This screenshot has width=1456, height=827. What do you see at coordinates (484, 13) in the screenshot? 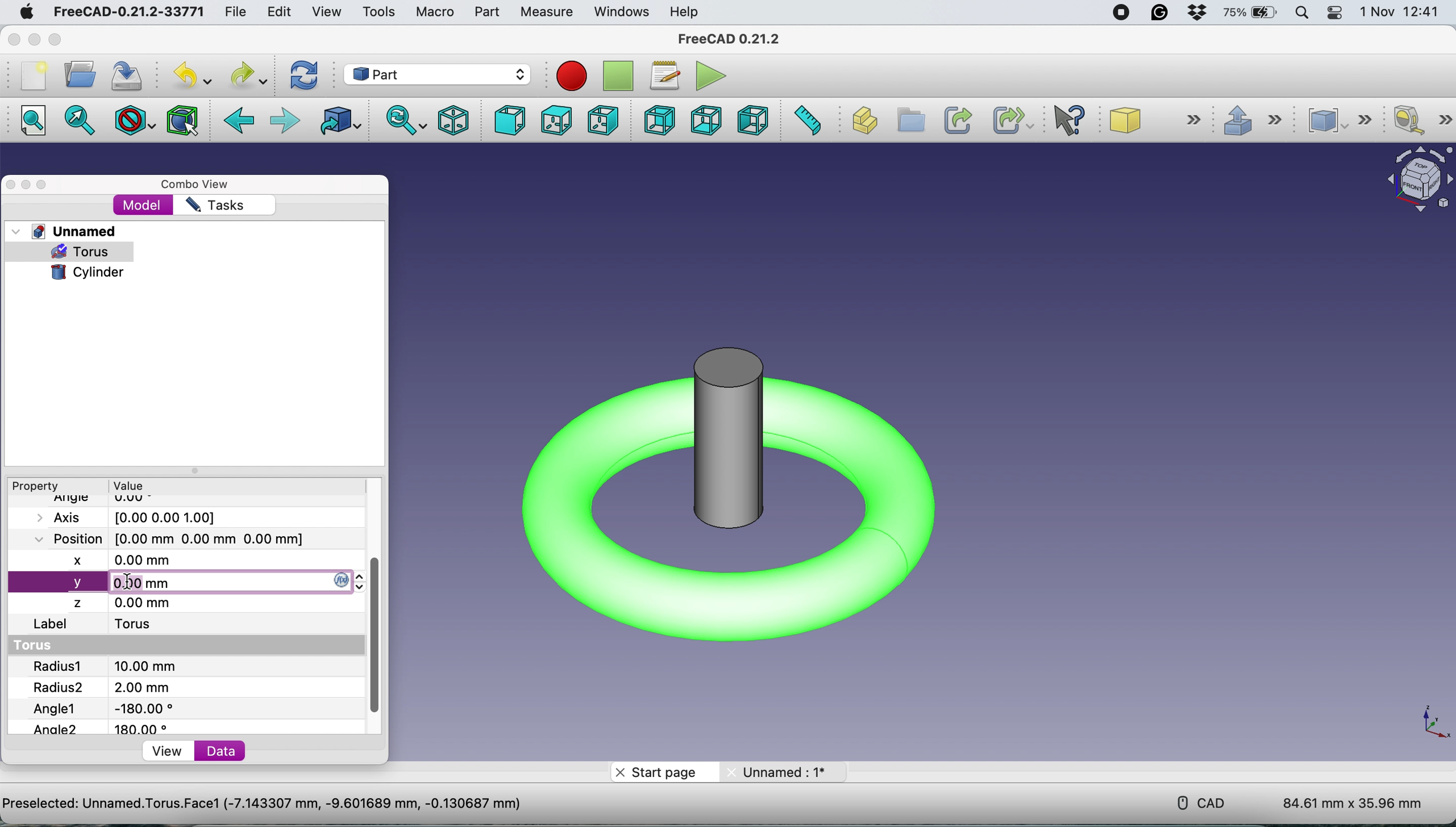
I see `part` at bounding box center [484, 13].